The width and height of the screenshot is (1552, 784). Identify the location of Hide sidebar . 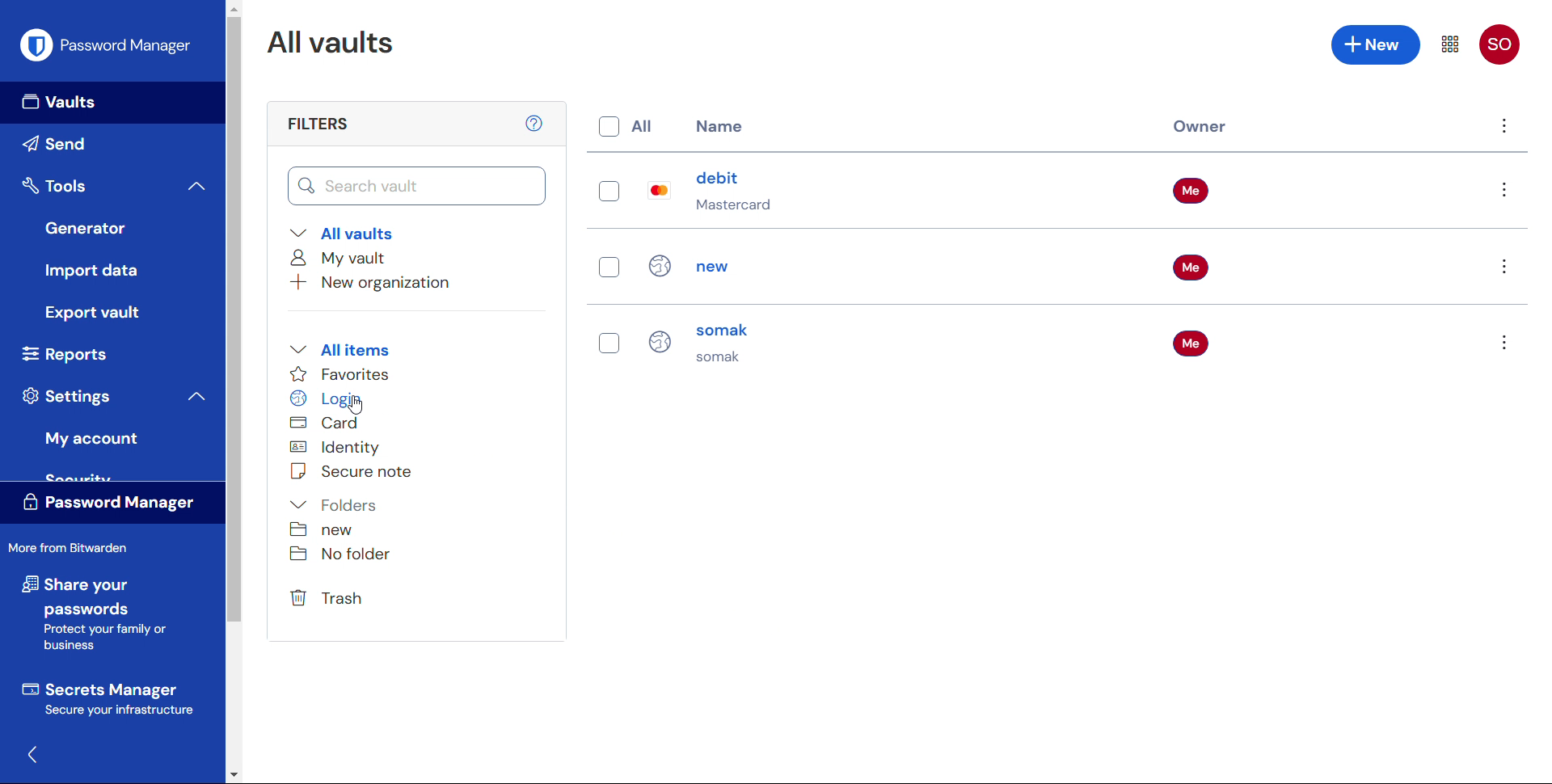
(37, 757).